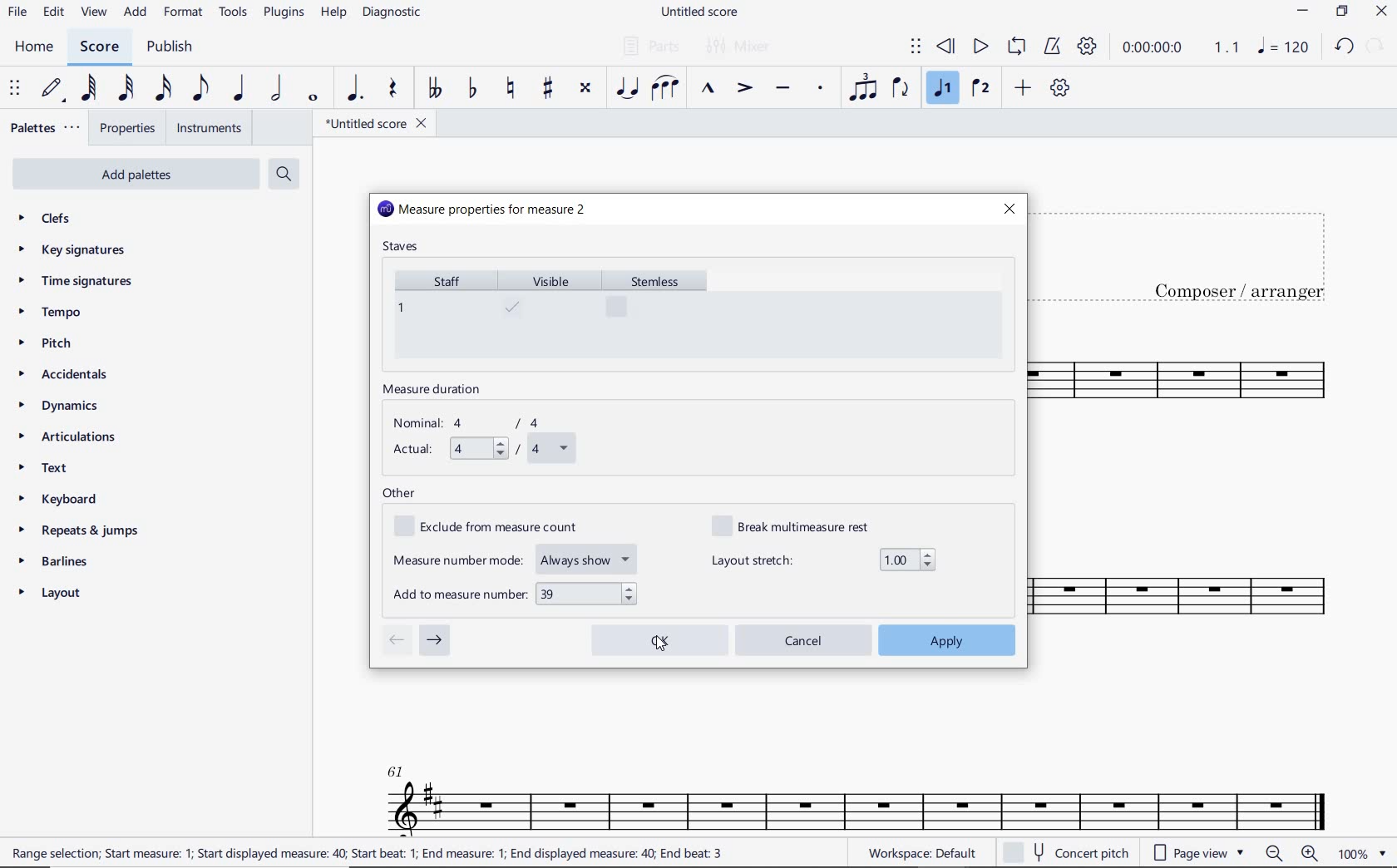 Image resolution: width=1397 pixels, height=868 pixels. What do you see at coordinates (402, 248) in the screenshot?
I see `staves` at bounding box center [402, 248].